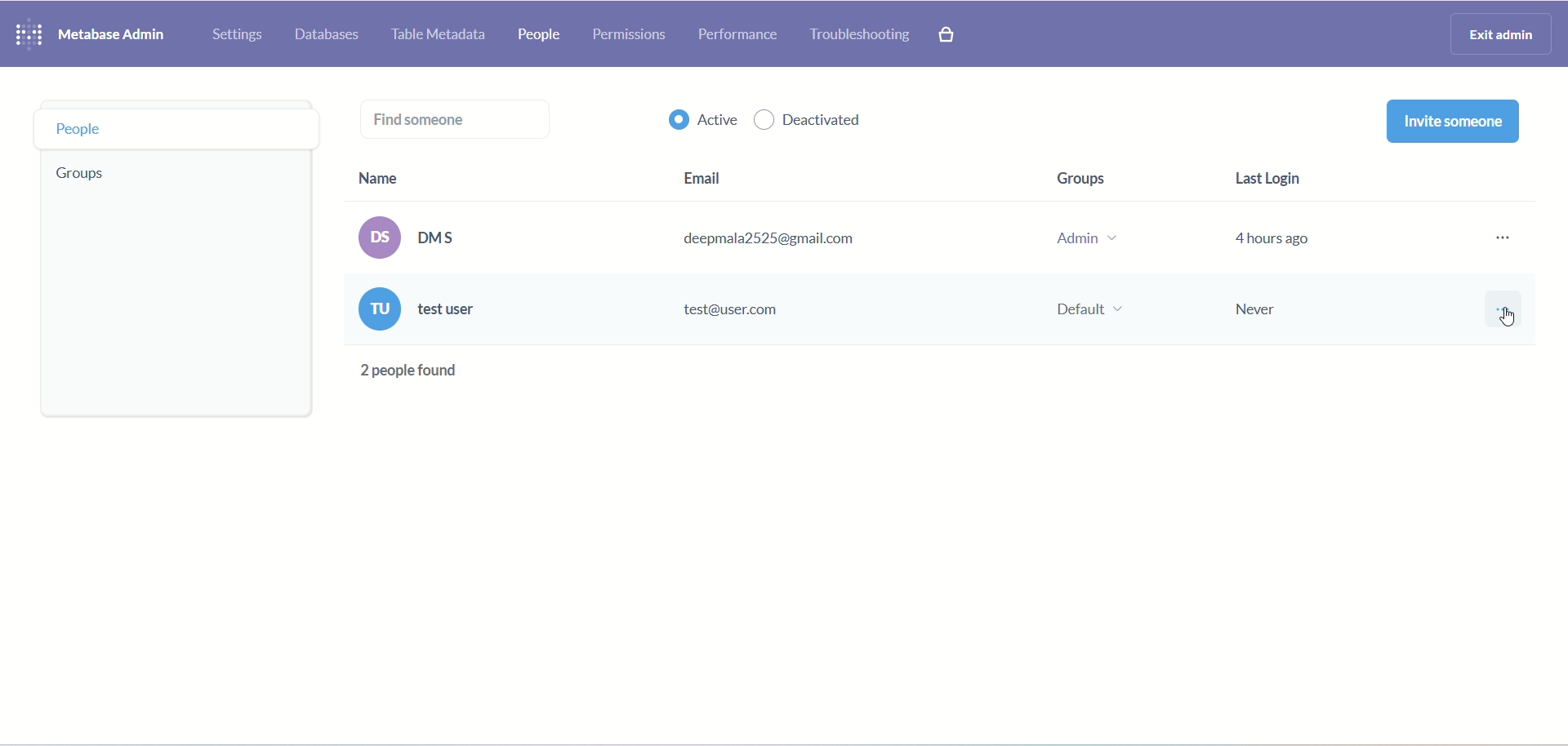  What do you see at coordinates (1451, 123) in the screenshot?
I see `invite someone` at bounding box center [1451, 123].